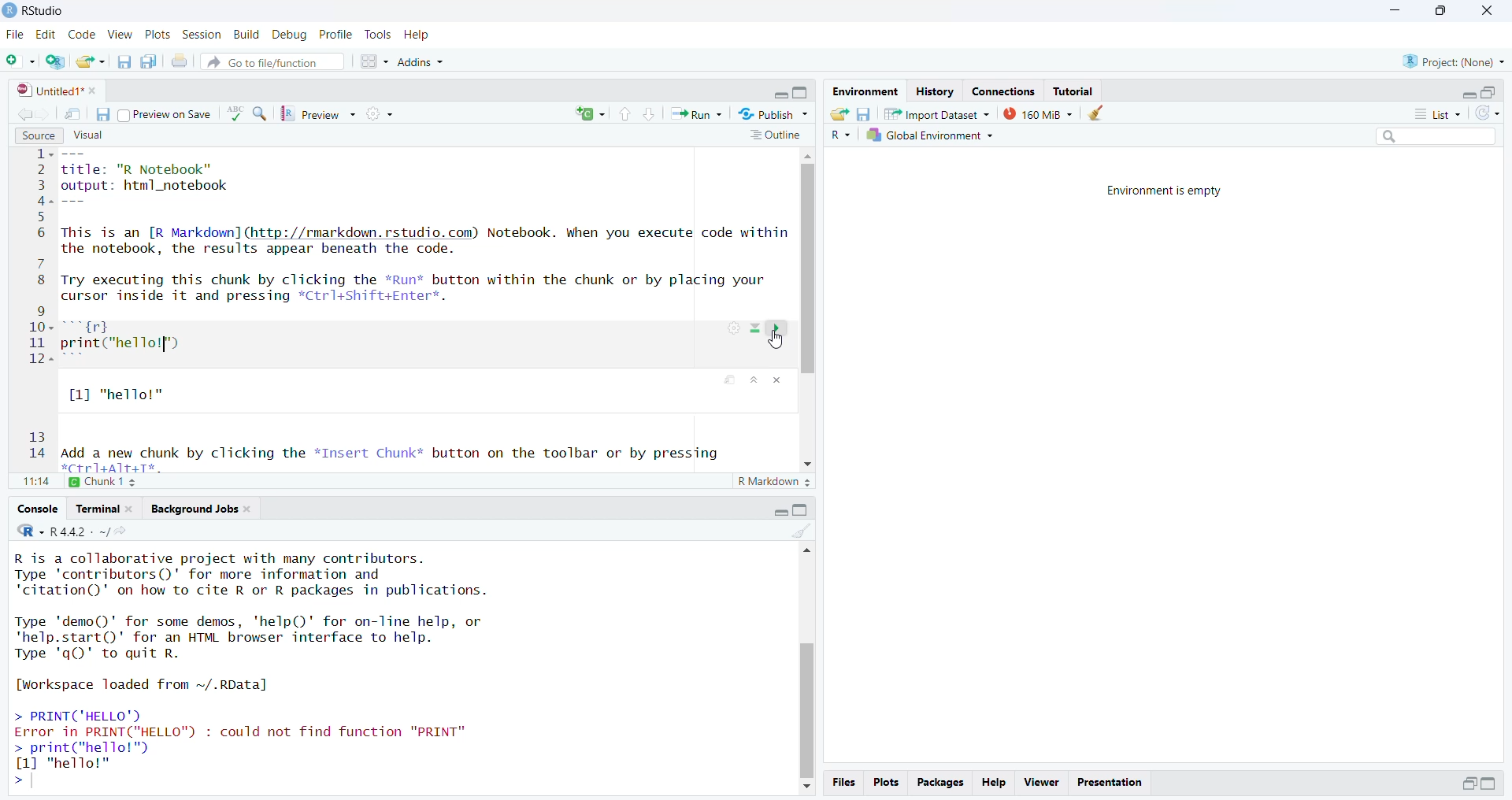  I want to click on connections, so click(1008, 91).